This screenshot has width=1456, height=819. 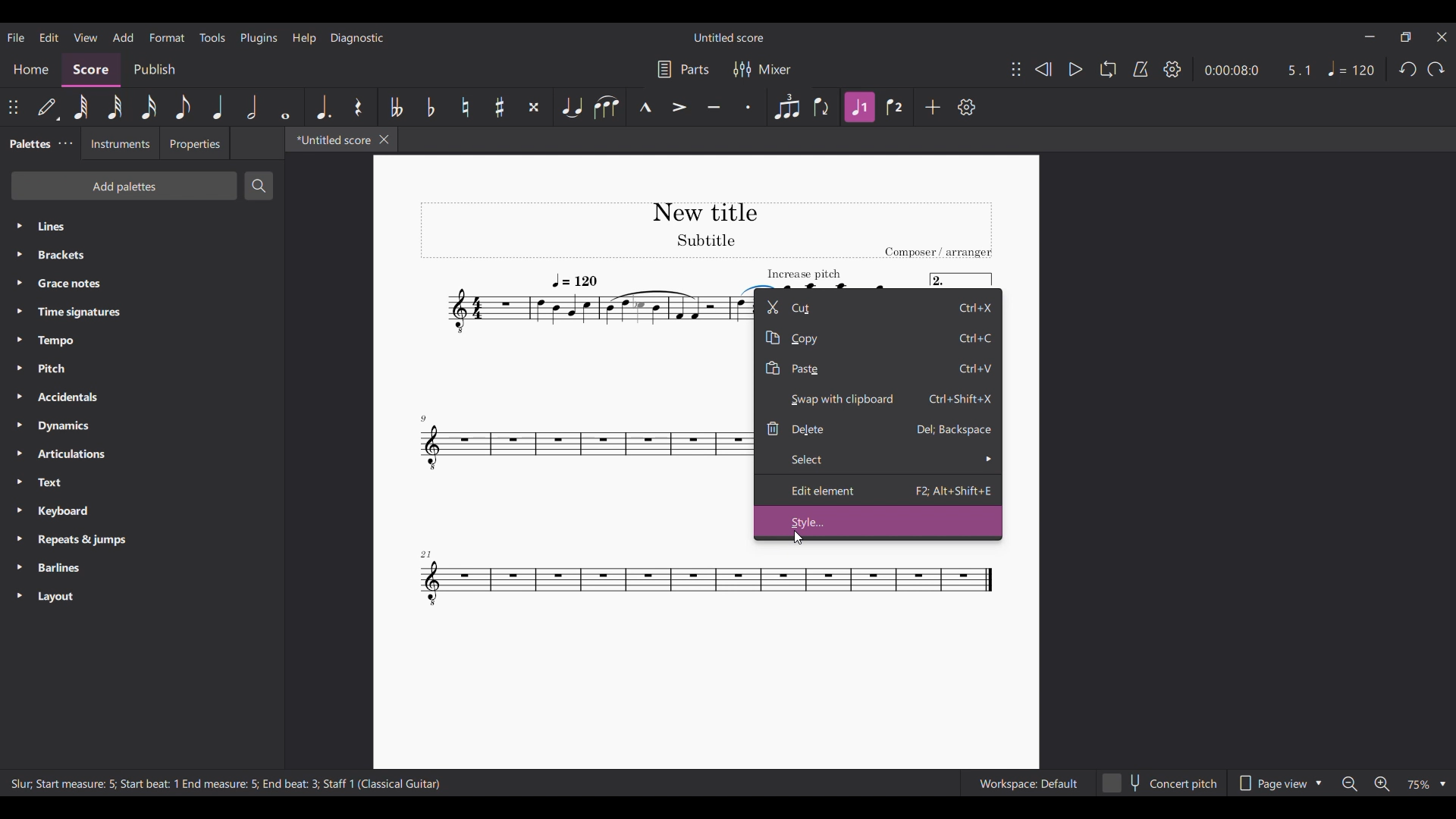 What do you see at coordinates (607, 107) in the screenshot?
I see `Slur` at bounding box center [607, 107].